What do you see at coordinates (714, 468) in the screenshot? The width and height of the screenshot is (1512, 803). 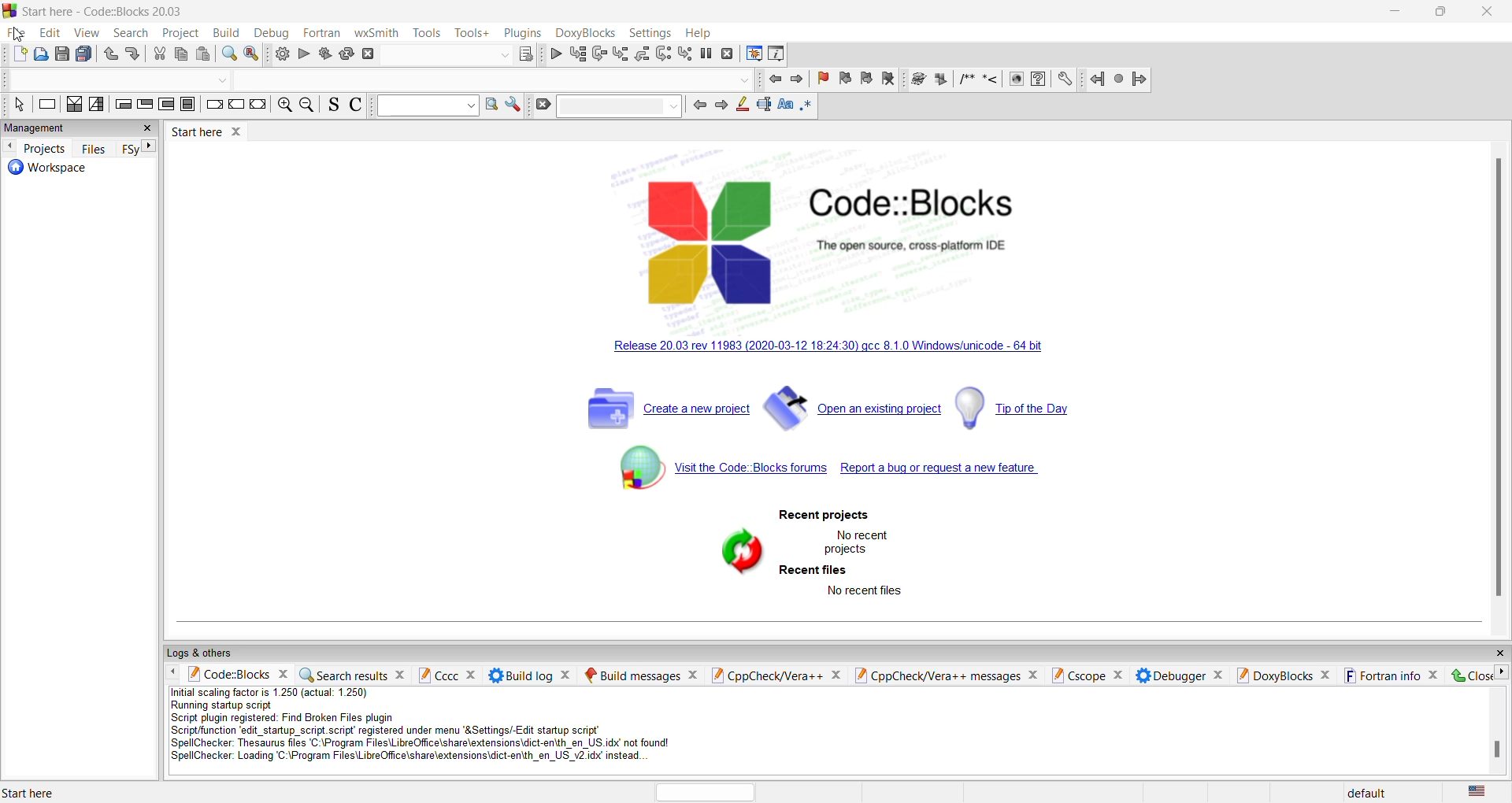 I see `visit the code block forums` at bounding box center [714, 468].